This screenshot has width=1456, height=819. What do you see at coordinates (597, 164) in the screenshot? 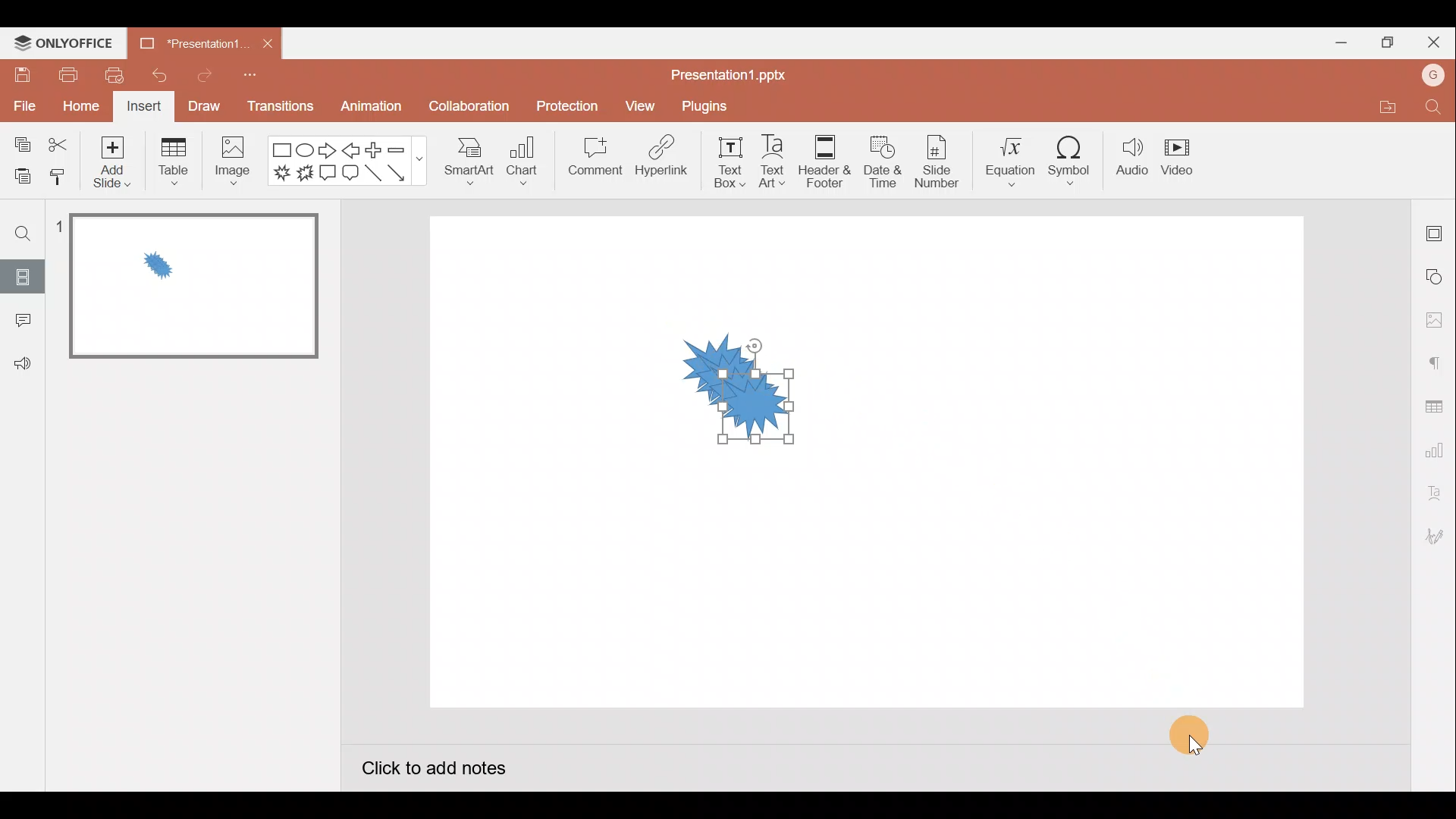
I see `Comment` at bounding box center [597, 164].